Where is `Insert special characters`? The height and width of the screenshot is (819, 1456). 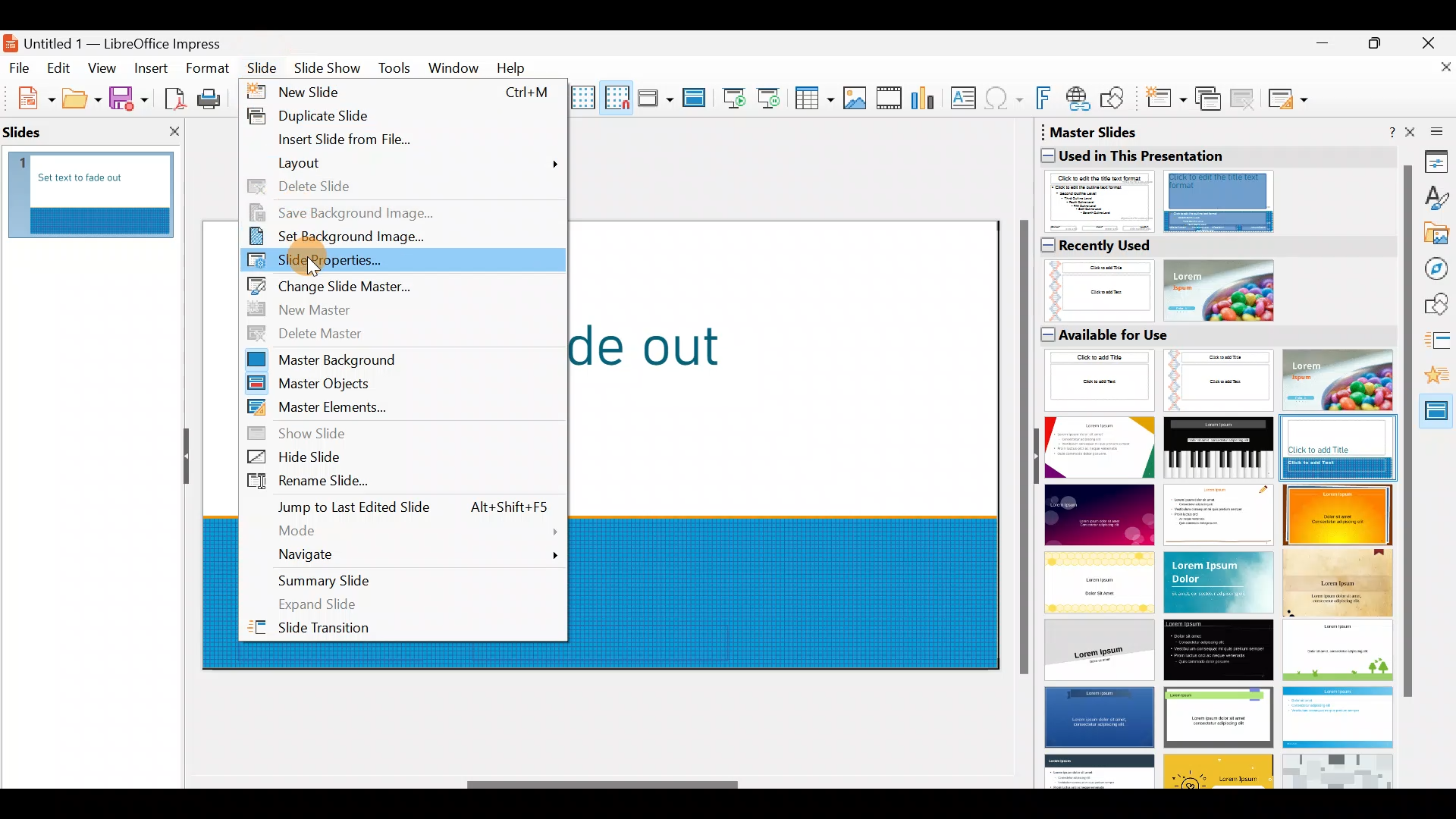
Insert special characters is located at coordinates (1006, 100).